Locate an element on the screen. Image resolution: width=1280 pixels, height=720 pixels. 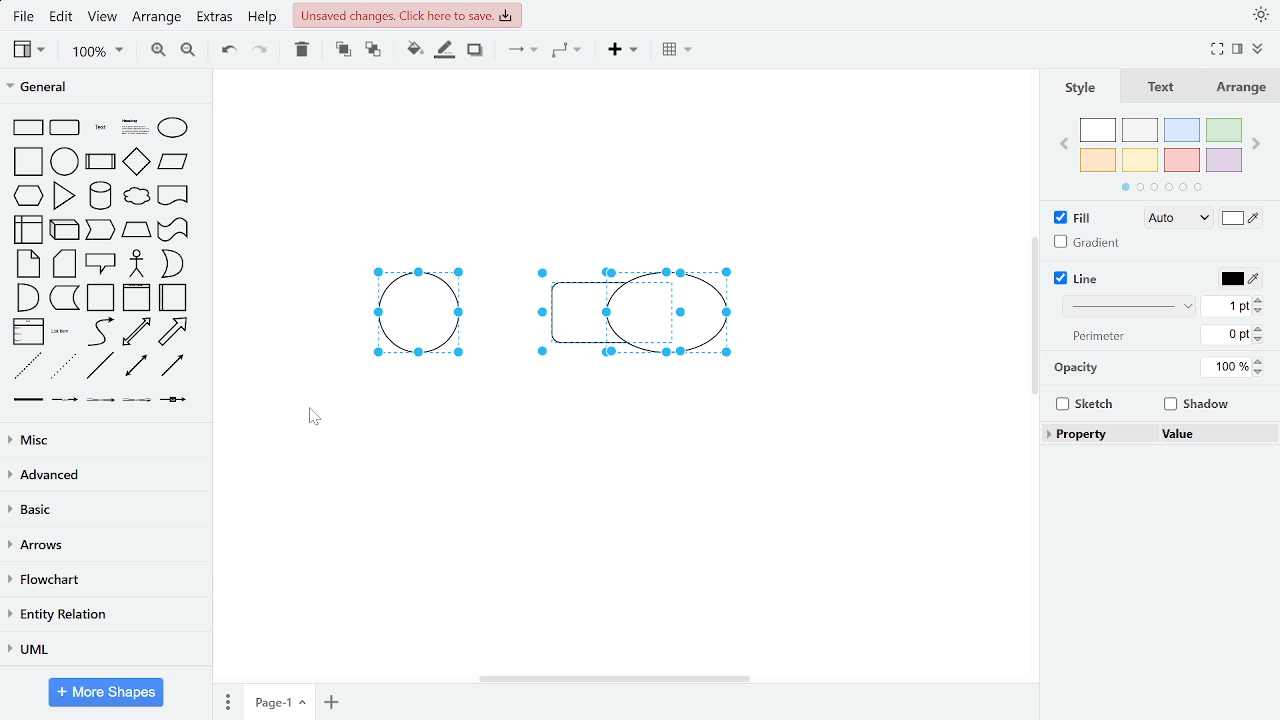
fill color is located at coordinates (1242, 217).